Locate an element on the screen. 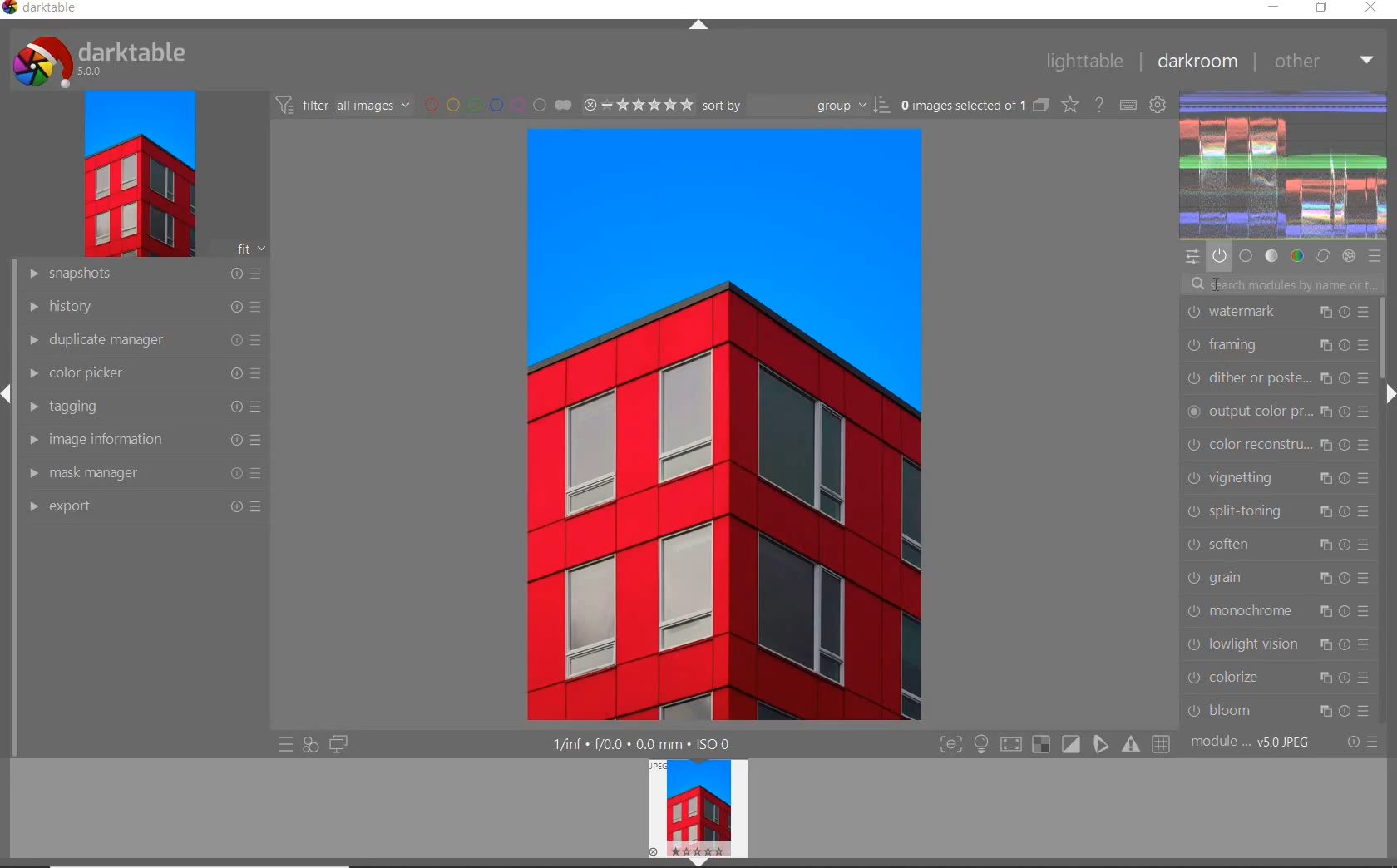 The height and width of the screenshot is (868, 1397). other is located at coordinates (1324, 60).